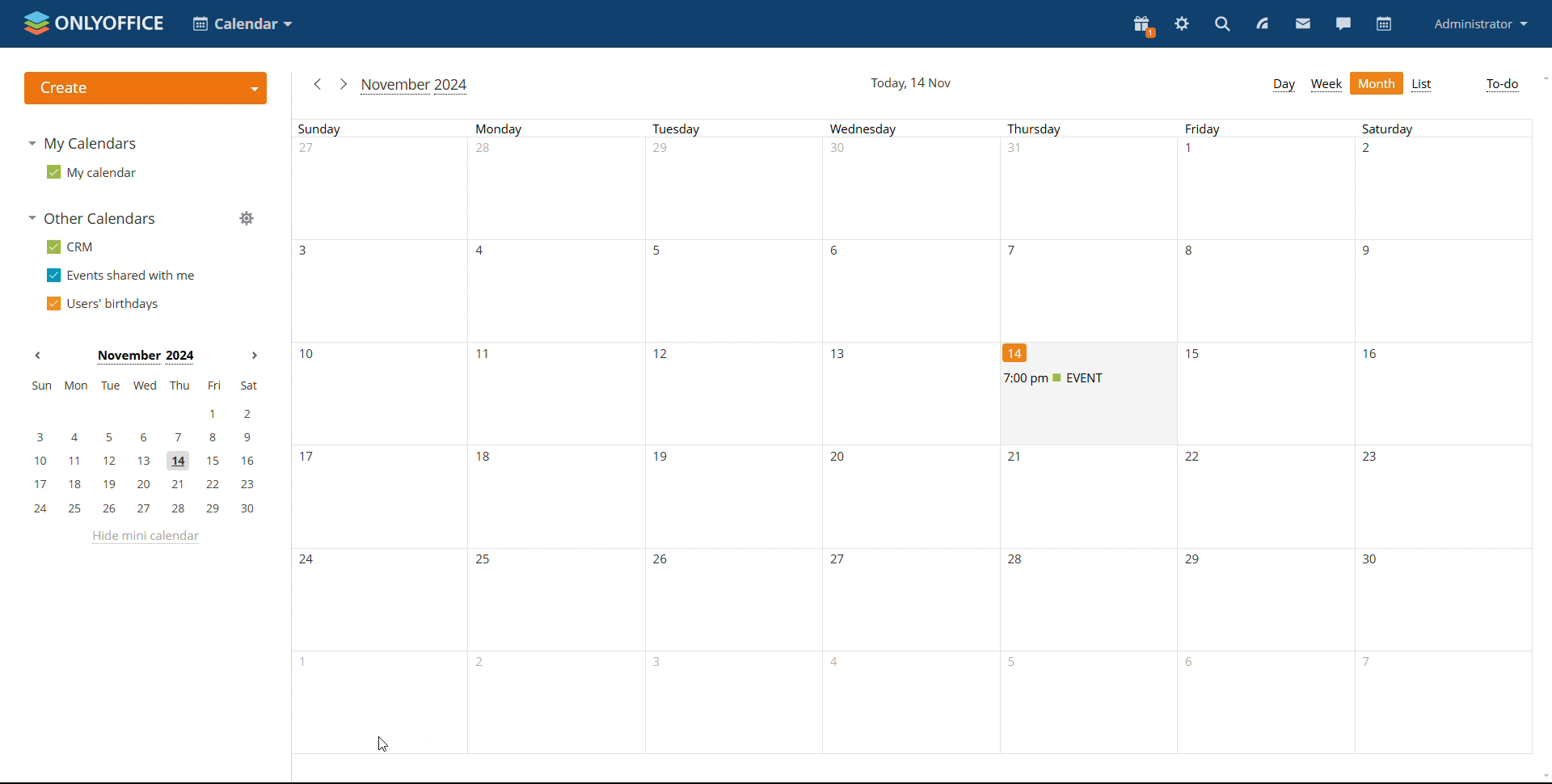 The width and height of the screenshot is (1552, 784). I want to click on next month, so click(254, 354).